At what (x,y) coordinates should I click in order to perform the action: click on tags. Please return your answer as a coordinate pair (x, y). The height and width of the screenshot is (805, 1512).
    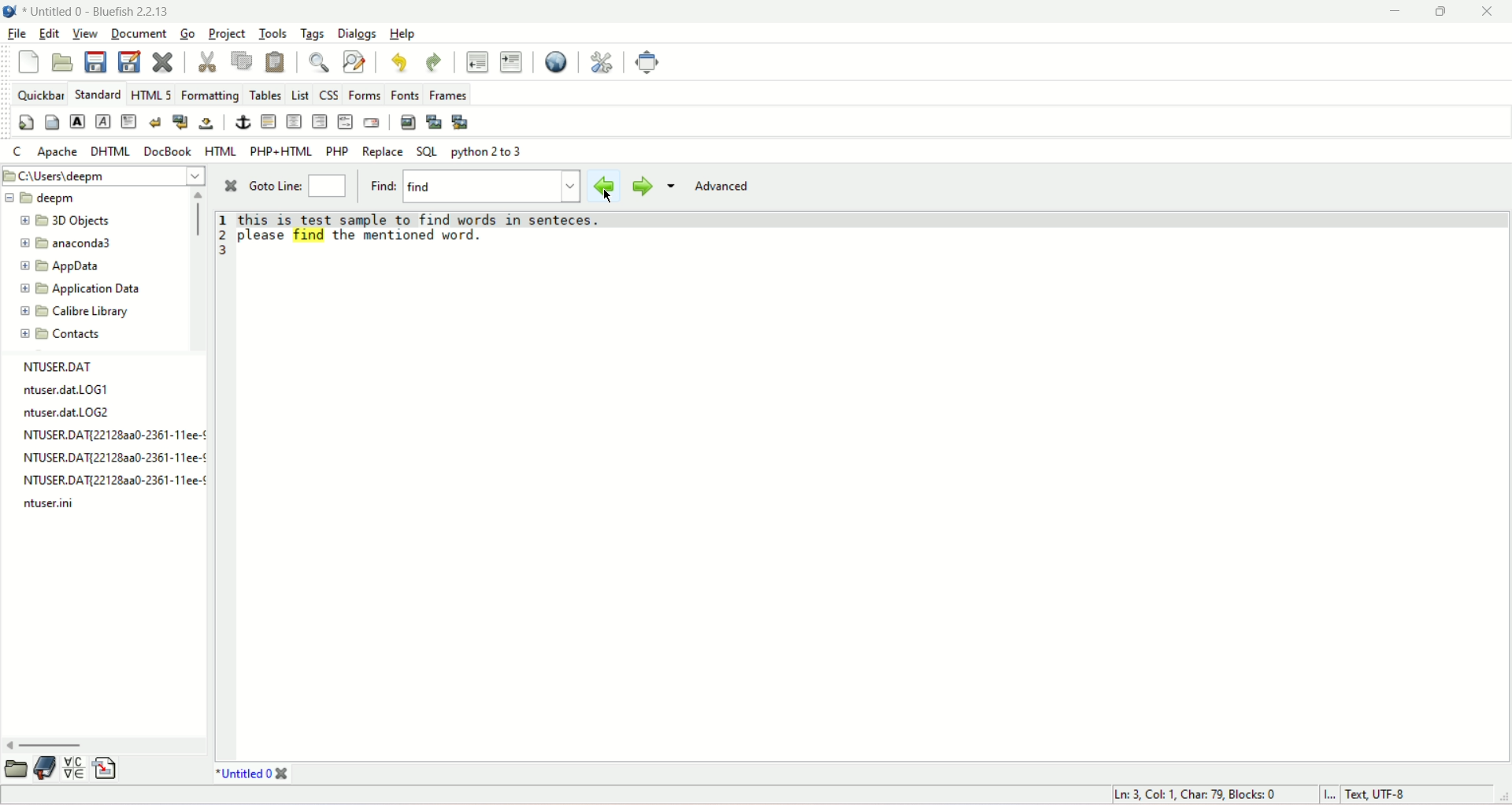
    Looking at the image, I should click on (313, 35).